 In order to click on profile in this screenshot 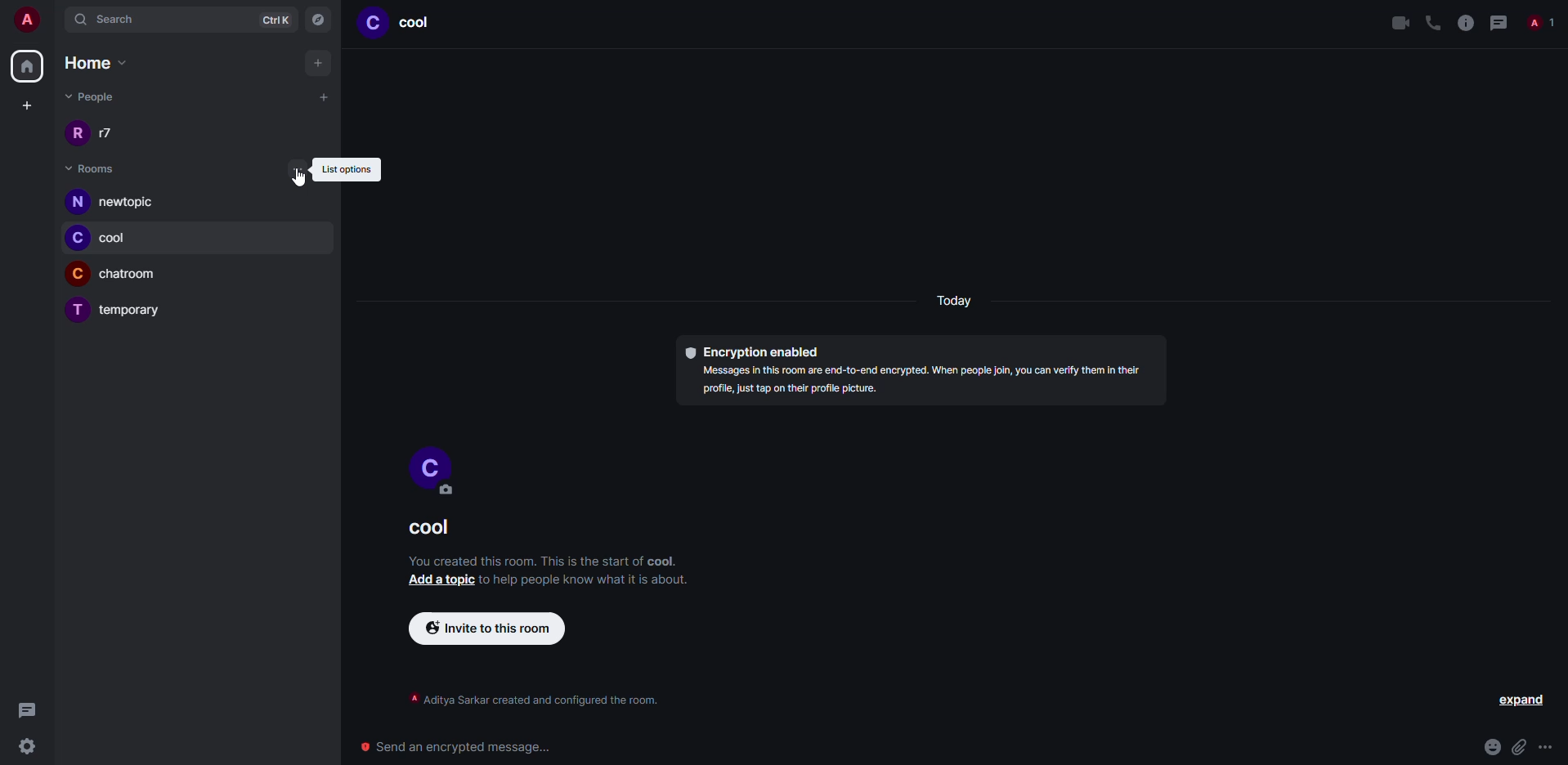, I will do `click(76, 311)`.